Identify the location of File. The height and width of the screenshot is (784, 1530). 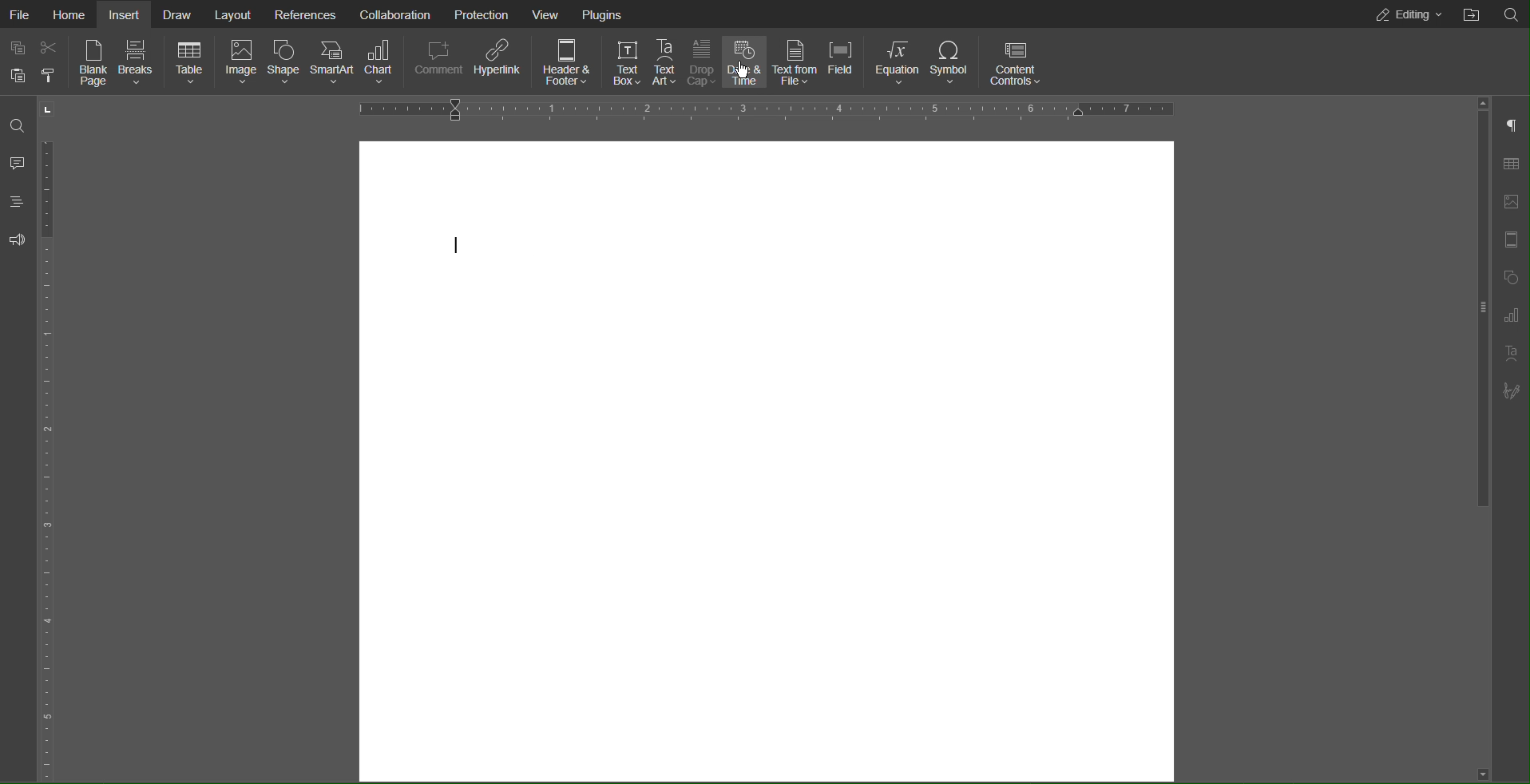
(21, 14).